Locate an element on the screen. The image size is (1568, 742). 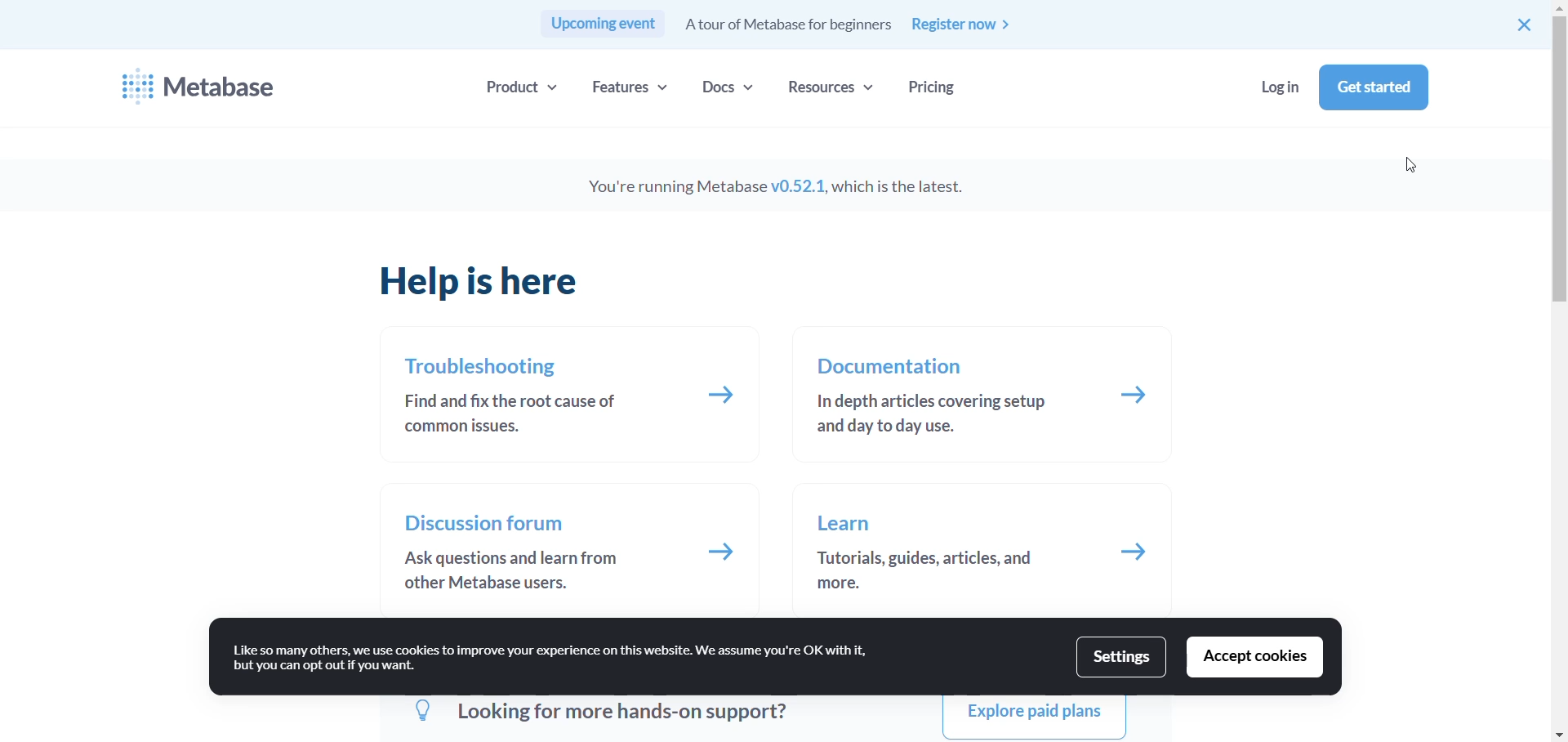
settings is located at coordinates (1121, 655).